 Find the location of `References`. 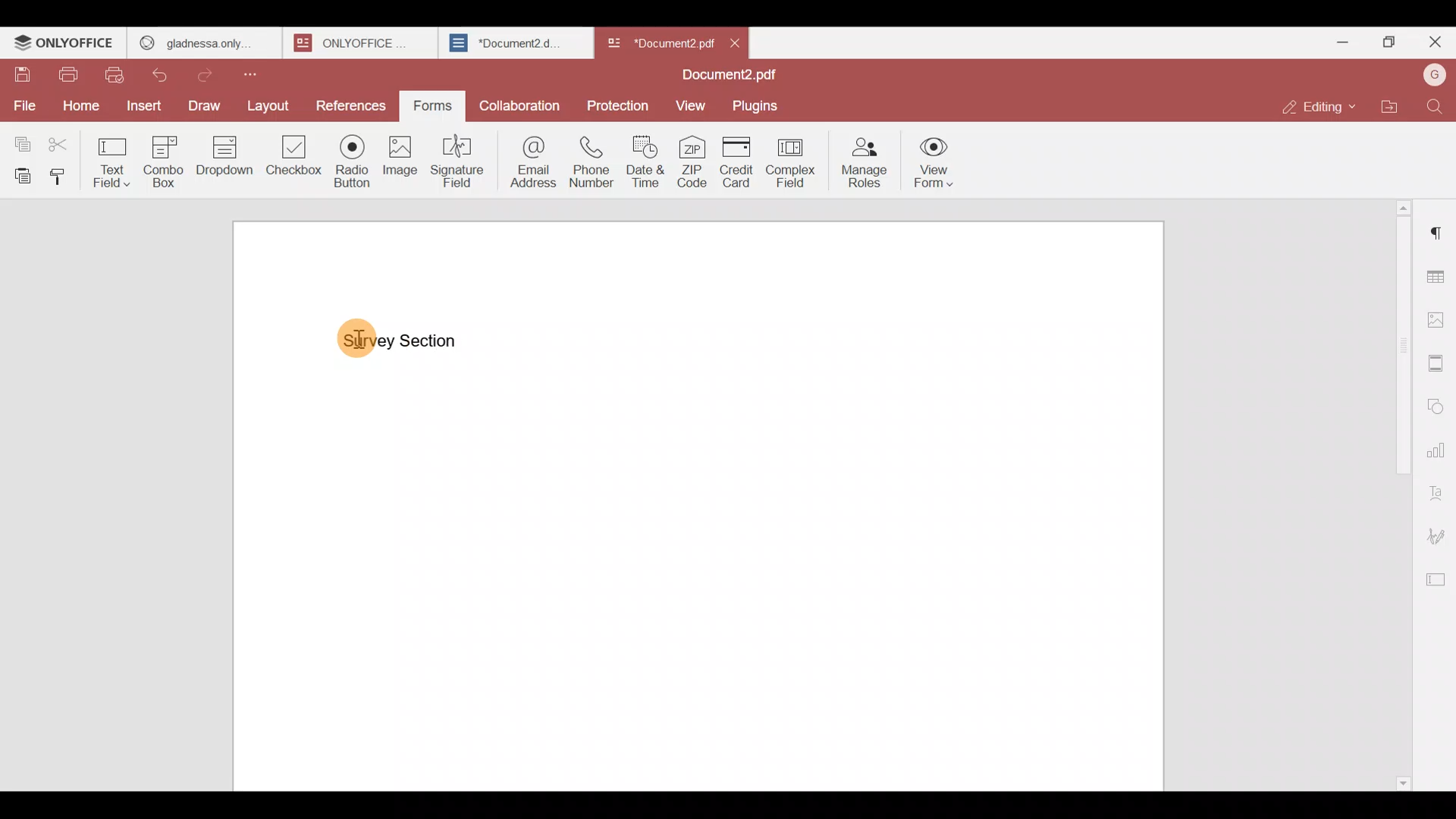

References is located at coordinates (350, 102).